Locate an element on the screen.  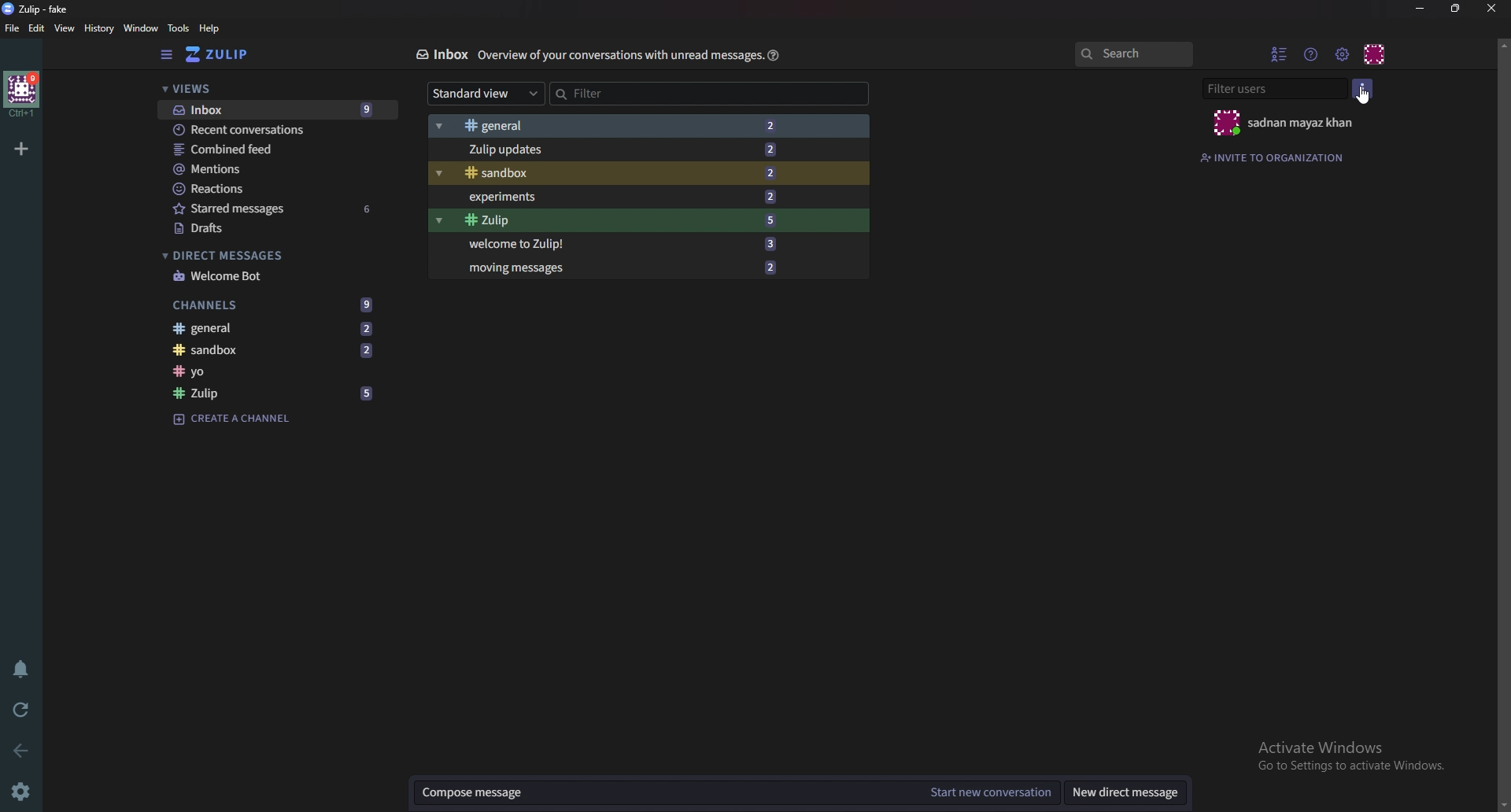
Invite to organization is located at coordinates (1276, 157).